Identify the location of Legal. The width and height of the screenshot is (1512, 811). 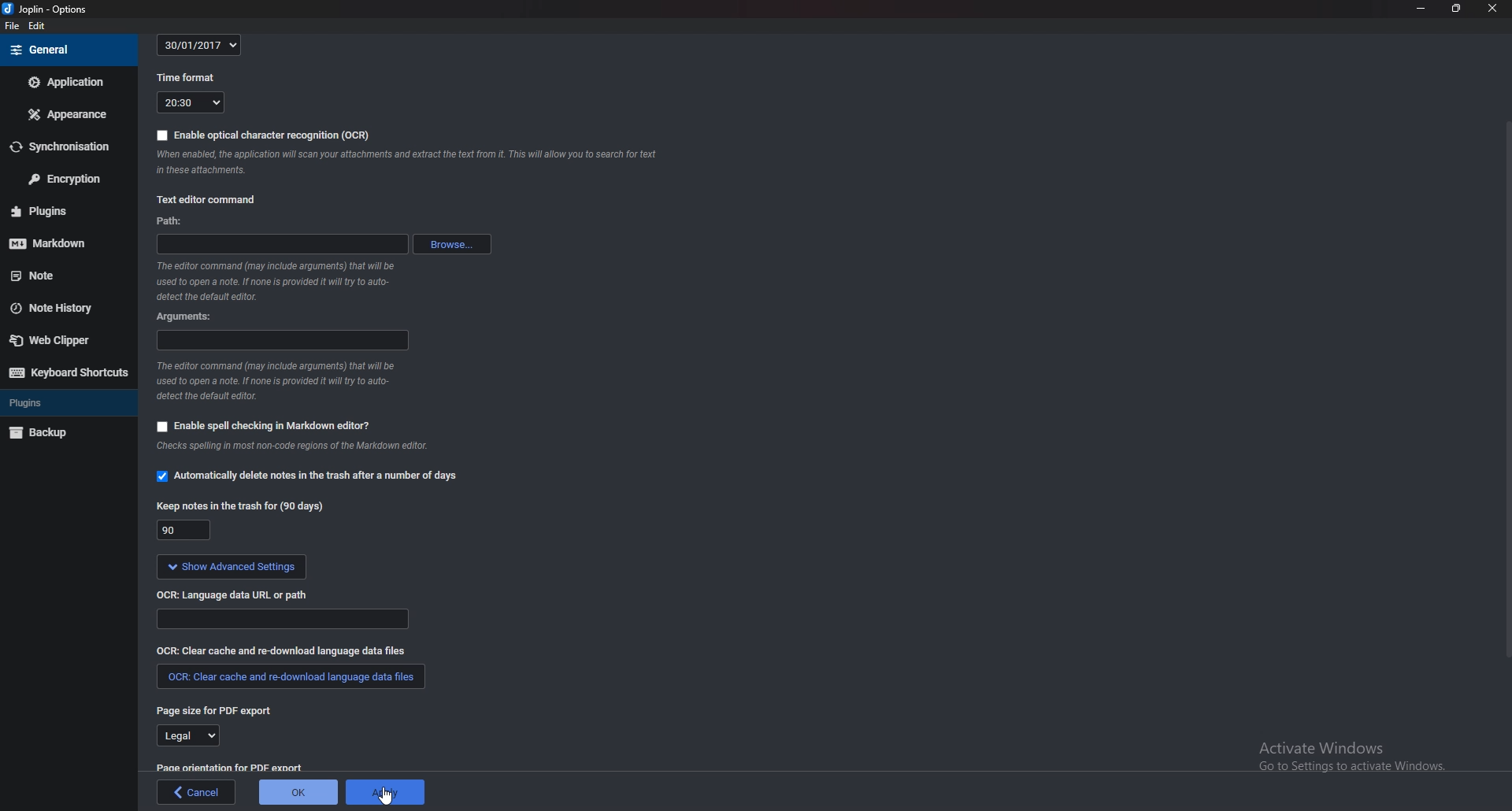
(187, 737).